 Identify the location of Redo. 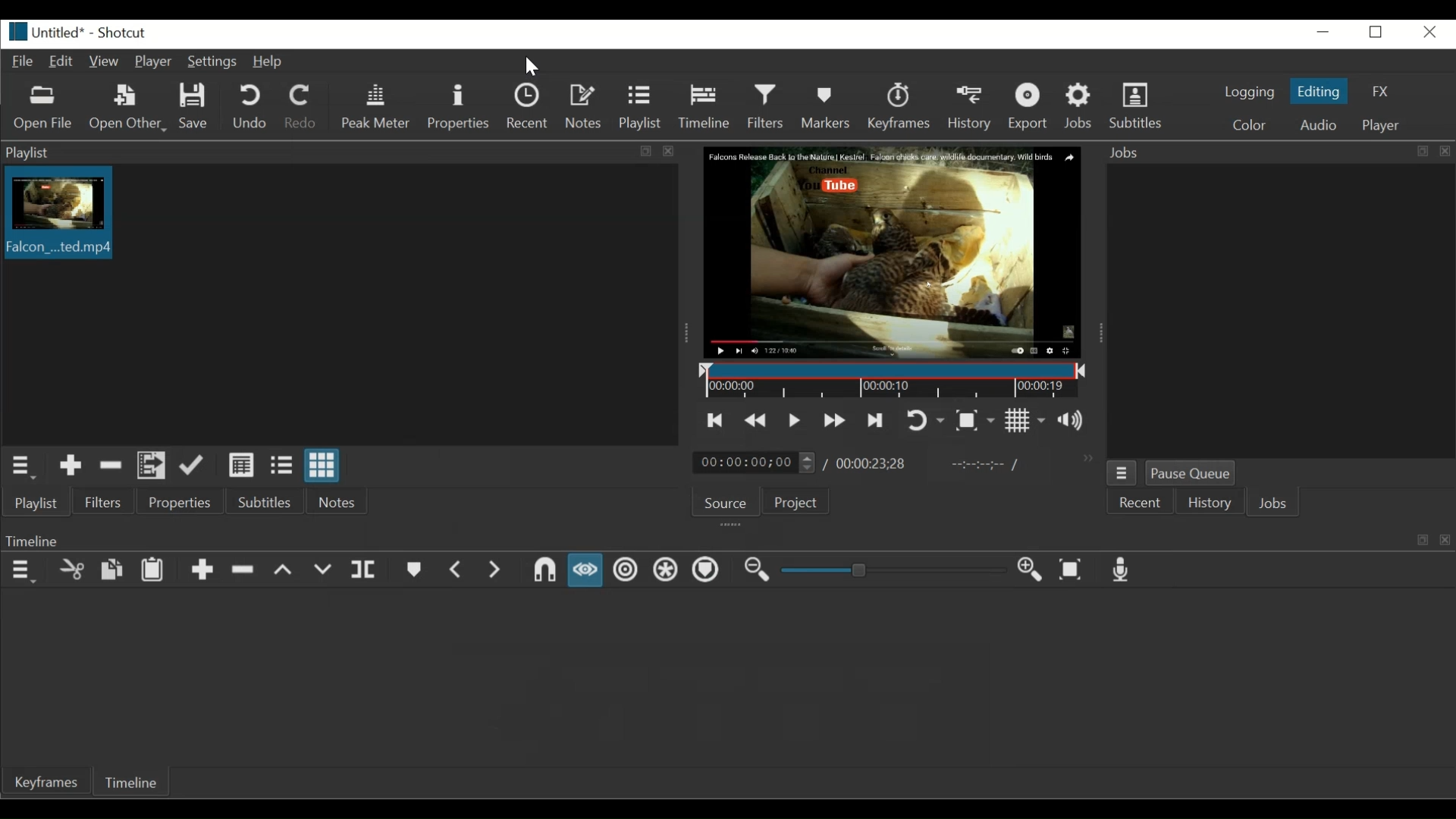
(303, 108).